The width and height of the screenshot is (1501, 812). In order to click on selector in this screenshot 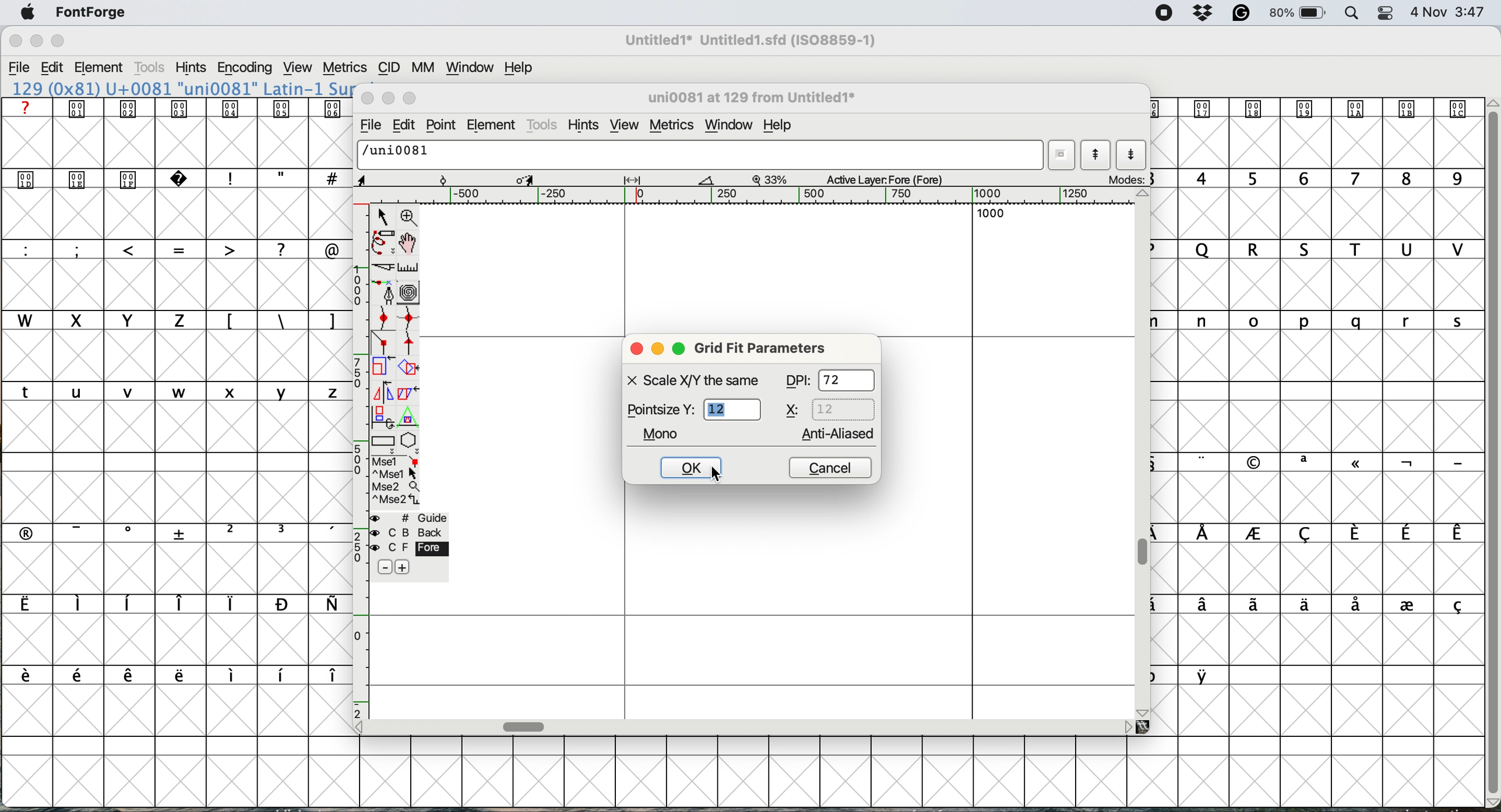, I will do `click(383, 216)`.